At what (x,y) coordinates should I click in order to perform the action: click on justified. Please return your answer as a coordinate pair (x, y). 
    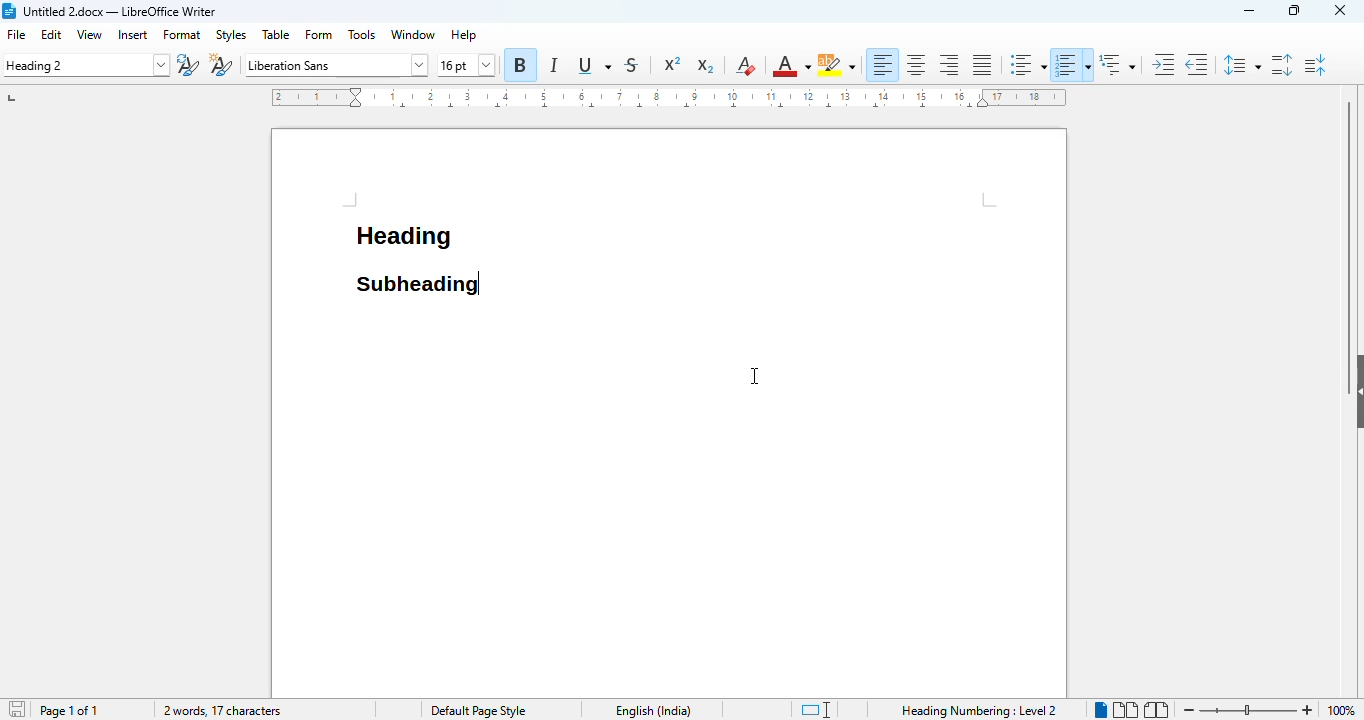
    Looking at the image, I should click on (982, 64).